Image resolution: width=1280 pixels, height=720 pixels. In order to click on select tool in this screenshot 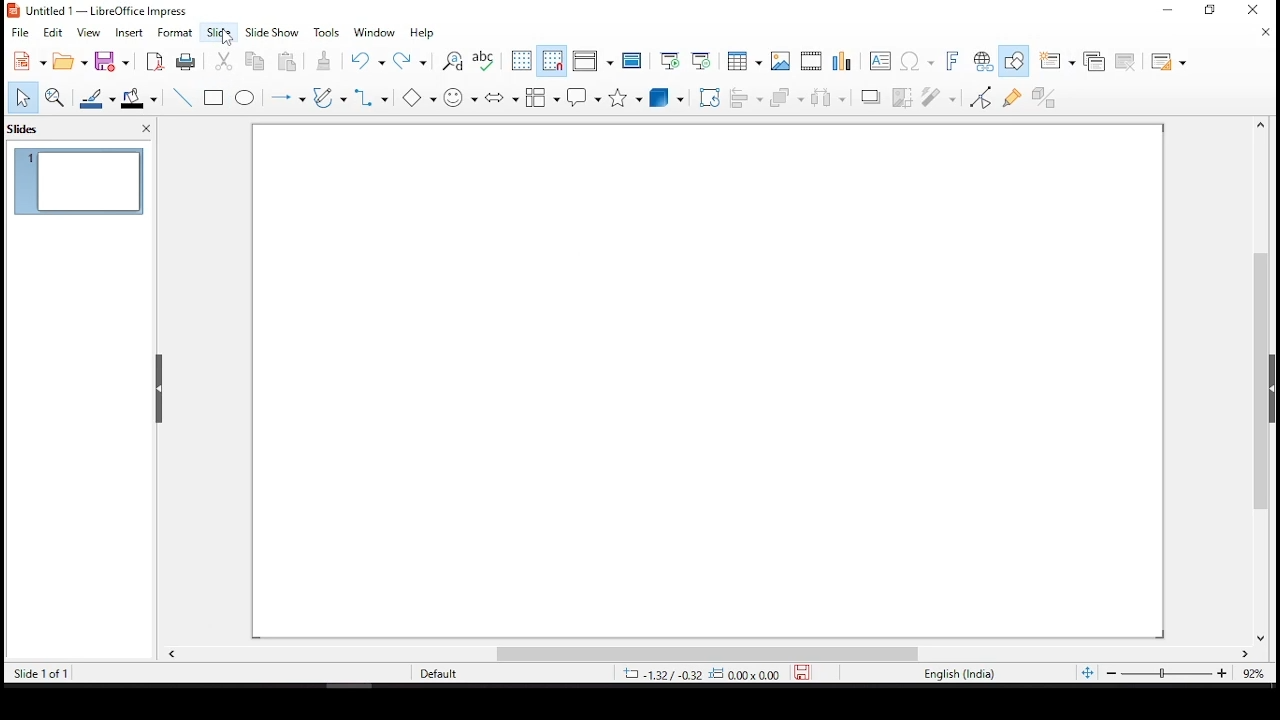, I will do `click(22, 98)`.